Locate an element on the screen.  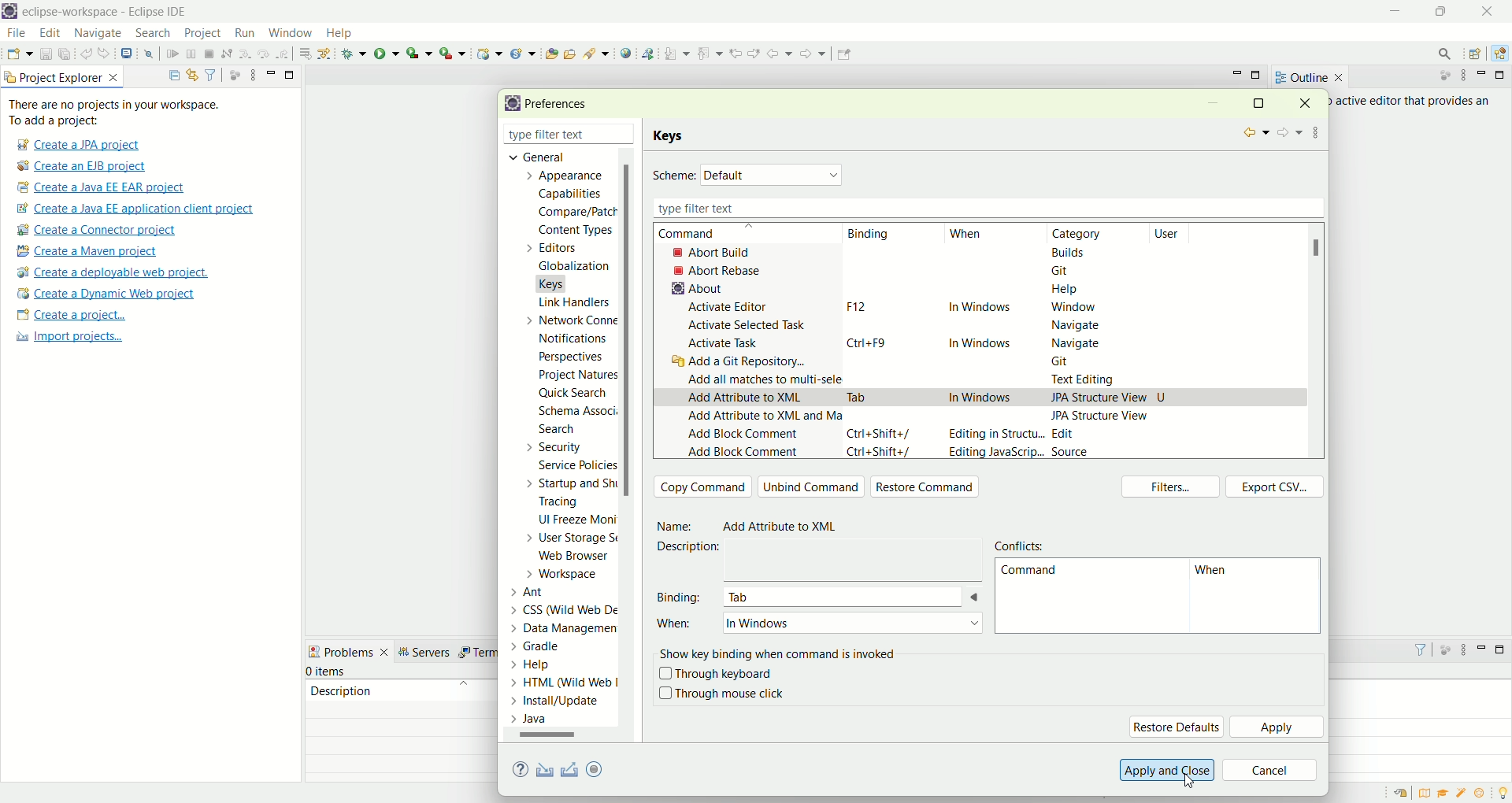
restore command is located at coordinates (929, 488).